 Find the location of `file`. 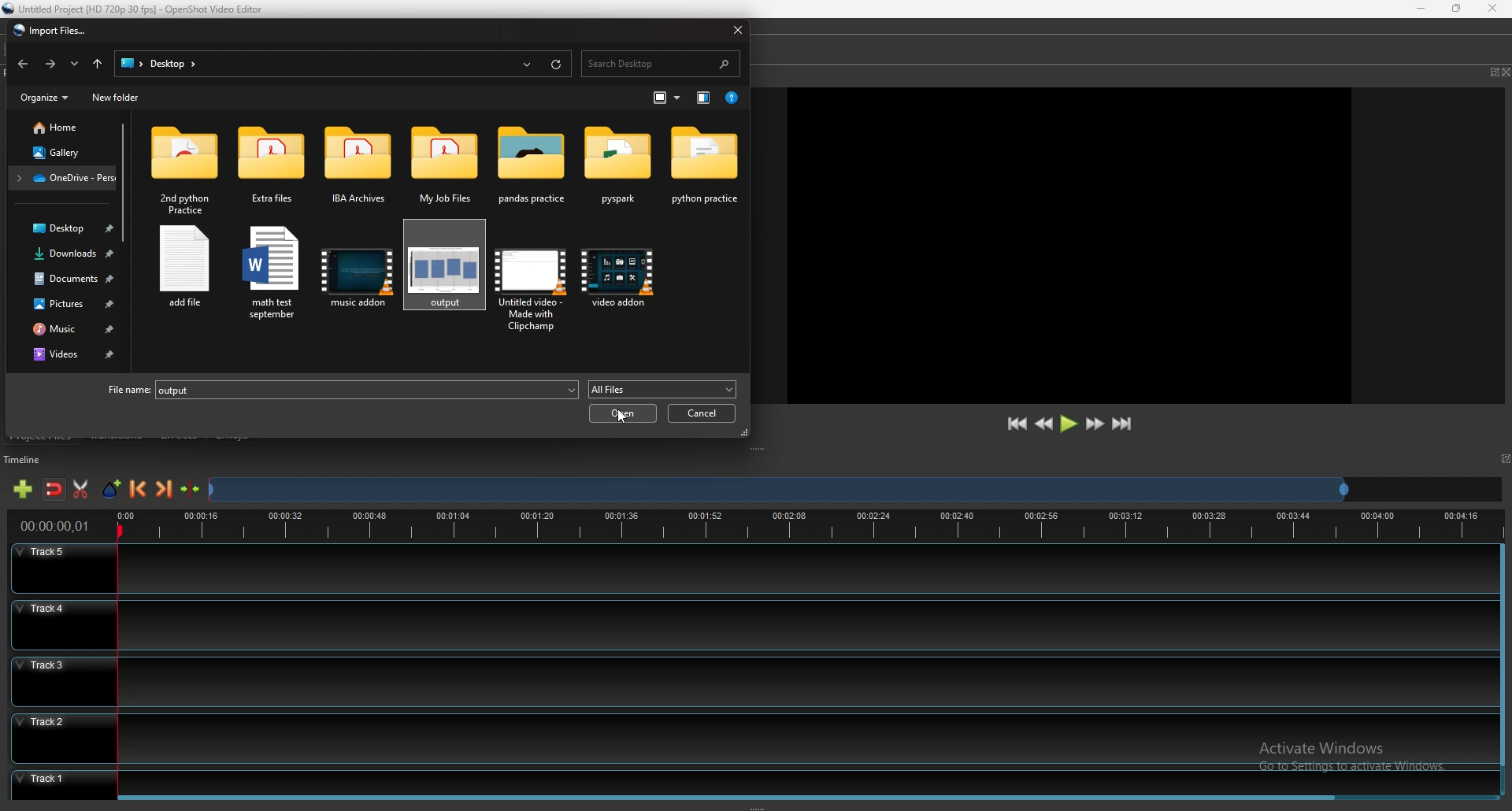

file is located at coordinates (271, 275).